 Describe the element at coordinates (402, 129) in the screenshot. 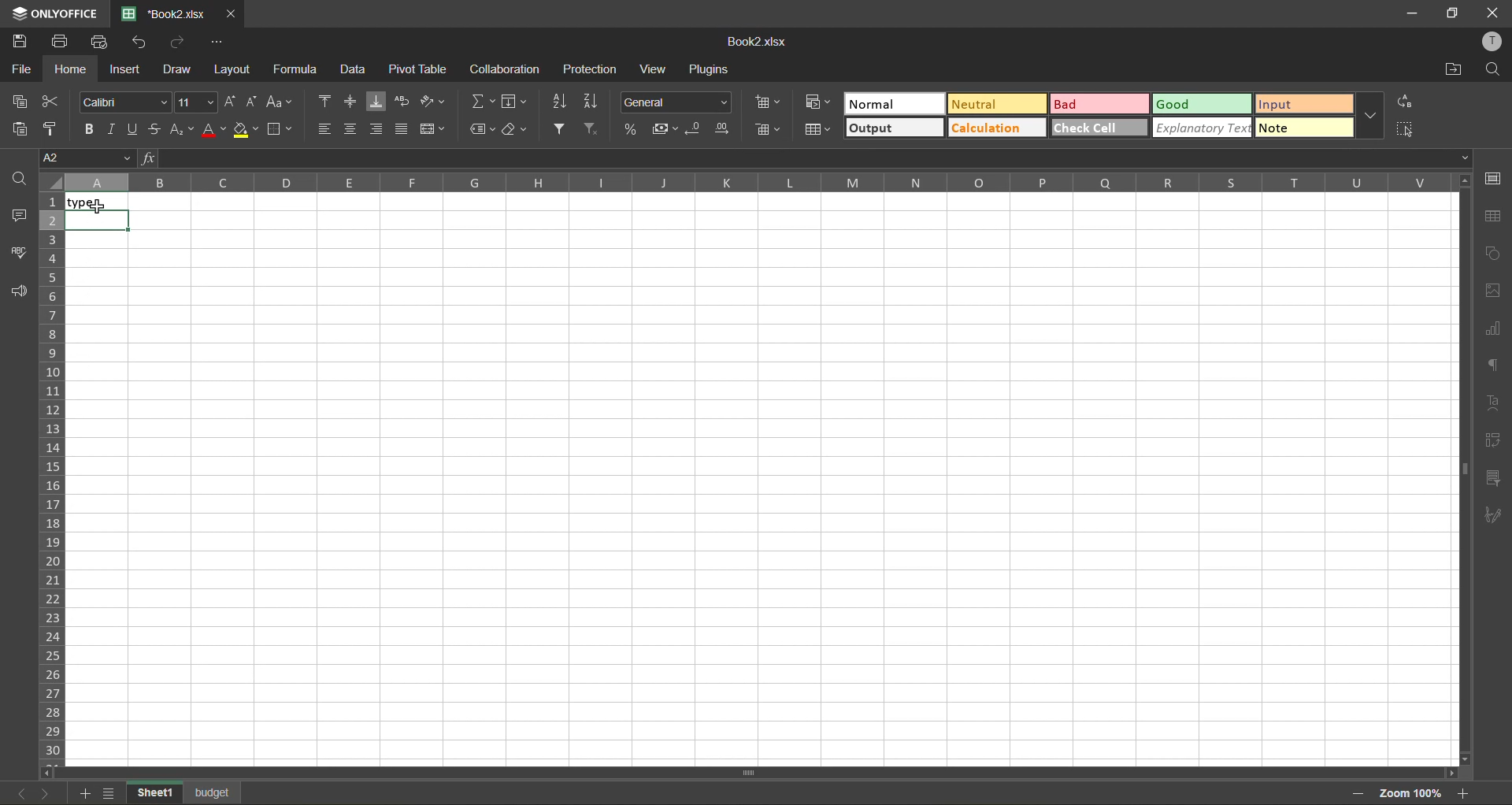

I see `justified` at that location.